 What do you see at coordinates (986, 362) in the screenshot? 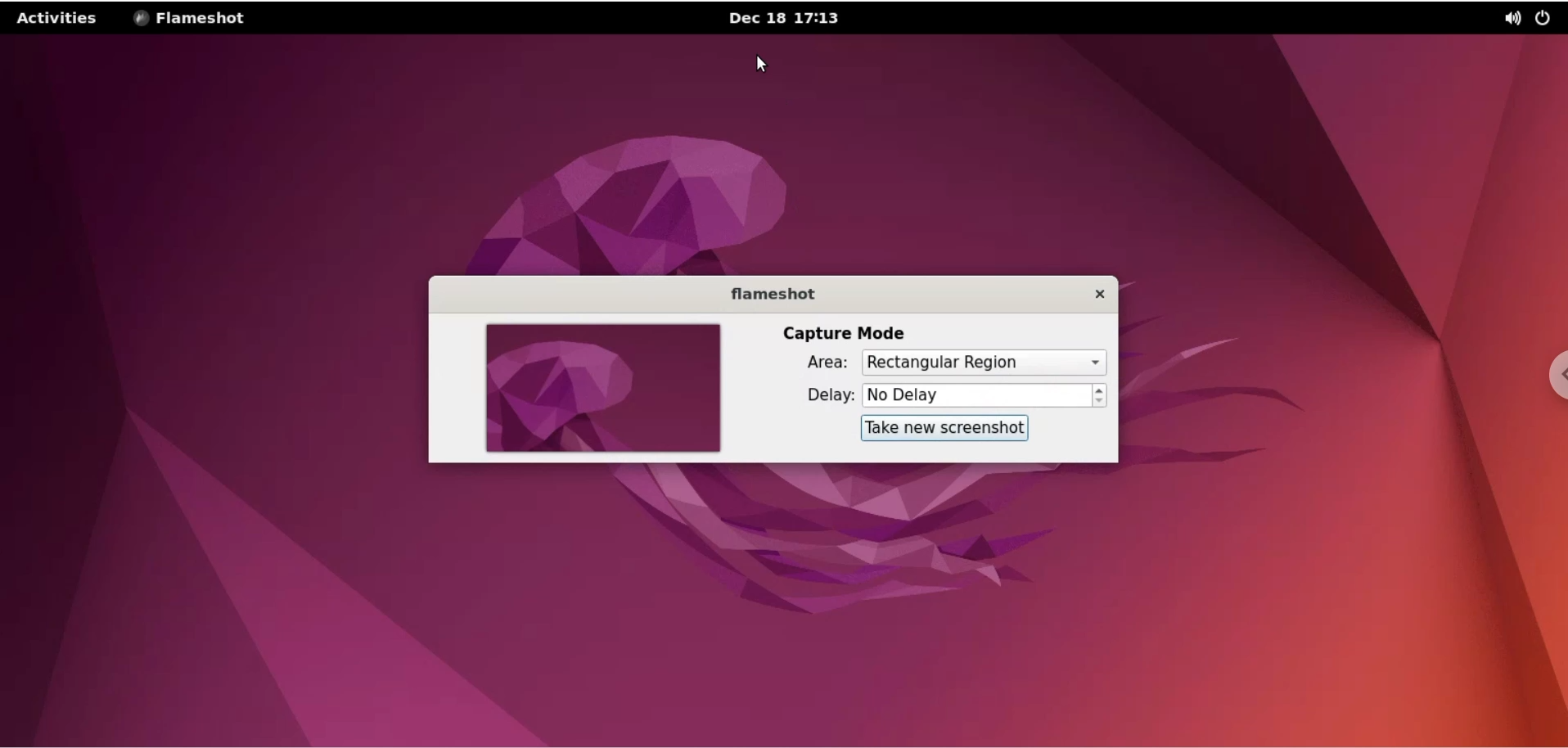
I see `capture area options` at bounding box center [986, 362].